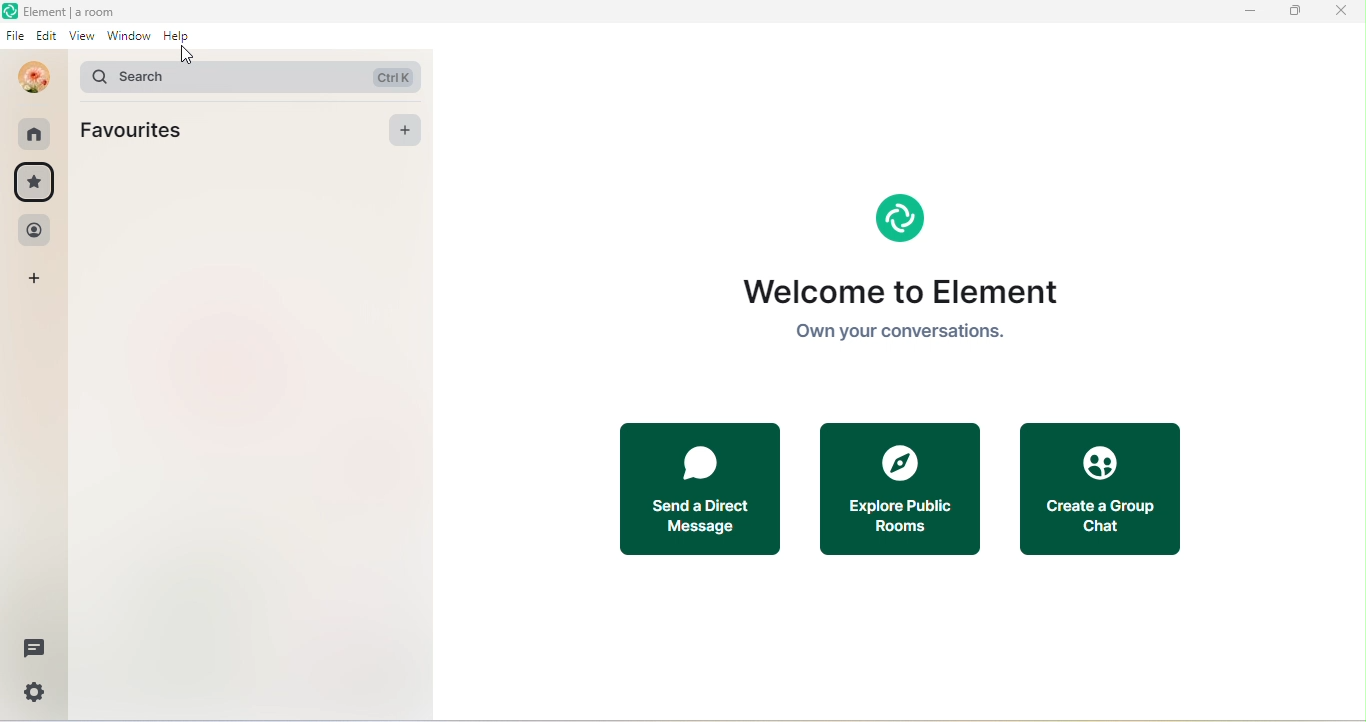 This screenshot has width=1366, height=722. Describe the element at coordinates (186, 56) in the screenshot. I see `cursor` at that location.